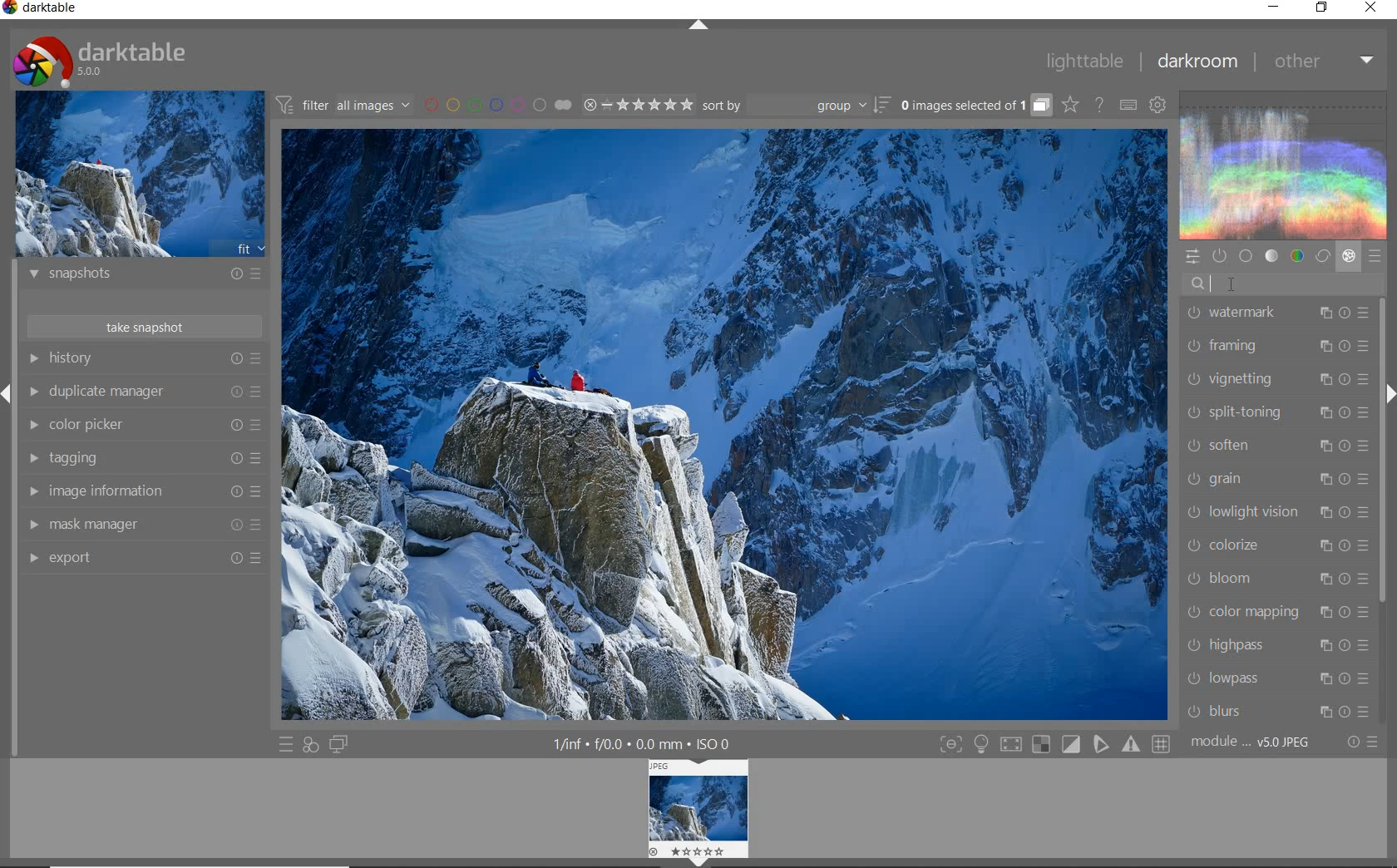 The width and height of the screenshot is (1397, 868). I want to click on take snapshot, so click(147, 326).